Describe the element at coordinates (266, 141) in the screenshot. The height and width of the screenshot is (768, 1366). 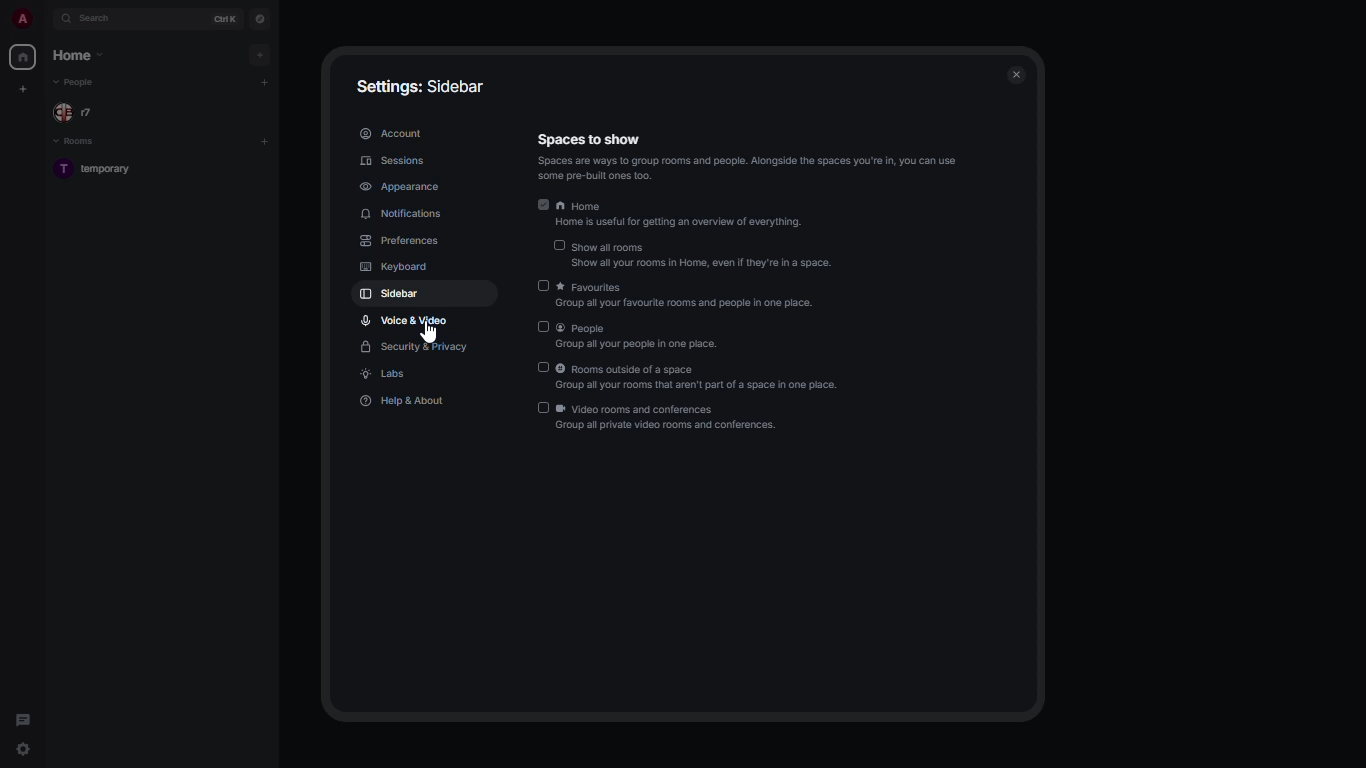
I see `add` at that location.